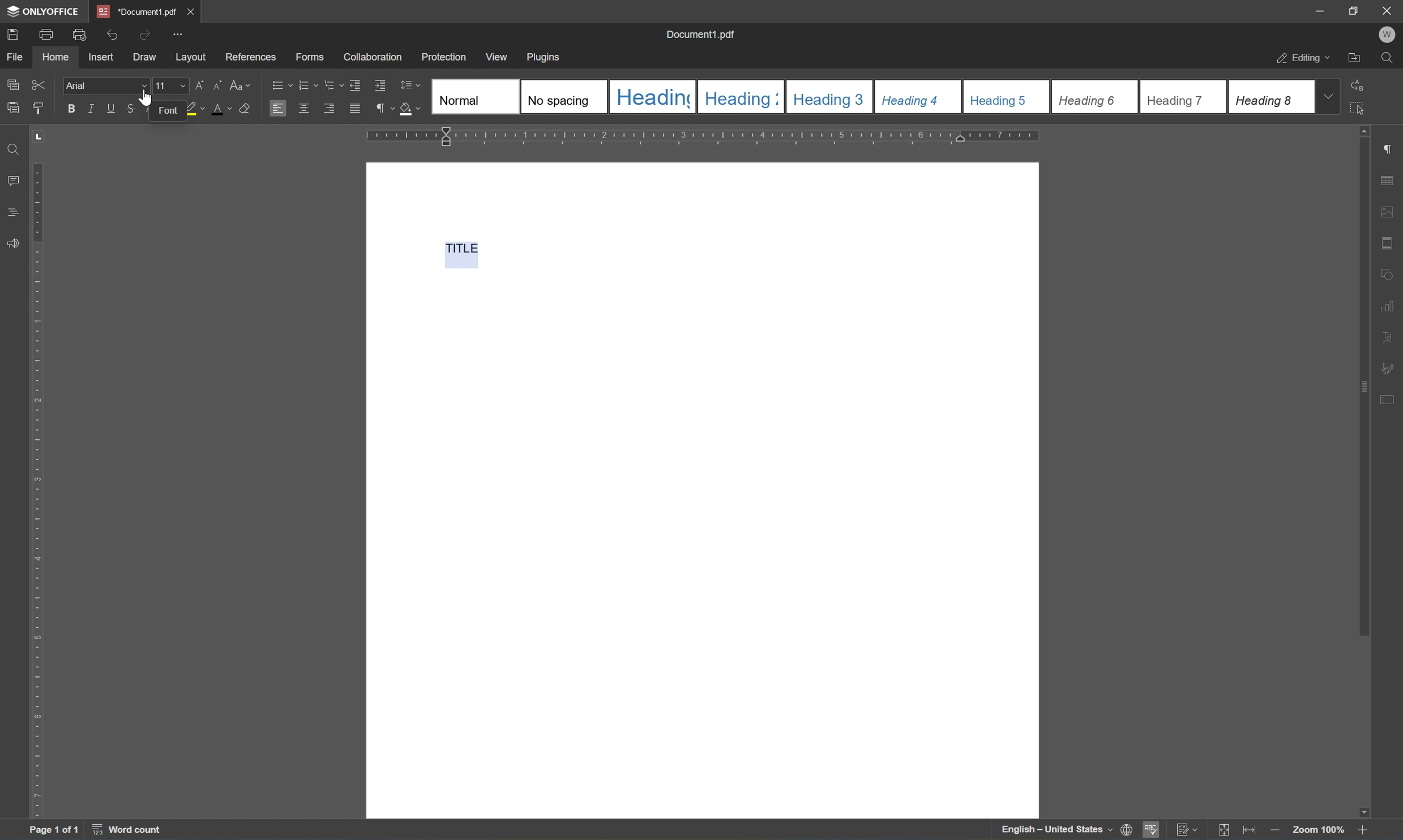  What do you see at coordinates (1328, 97) in the screenshot?
I see `drop down` at bounding box center [1328, 97].